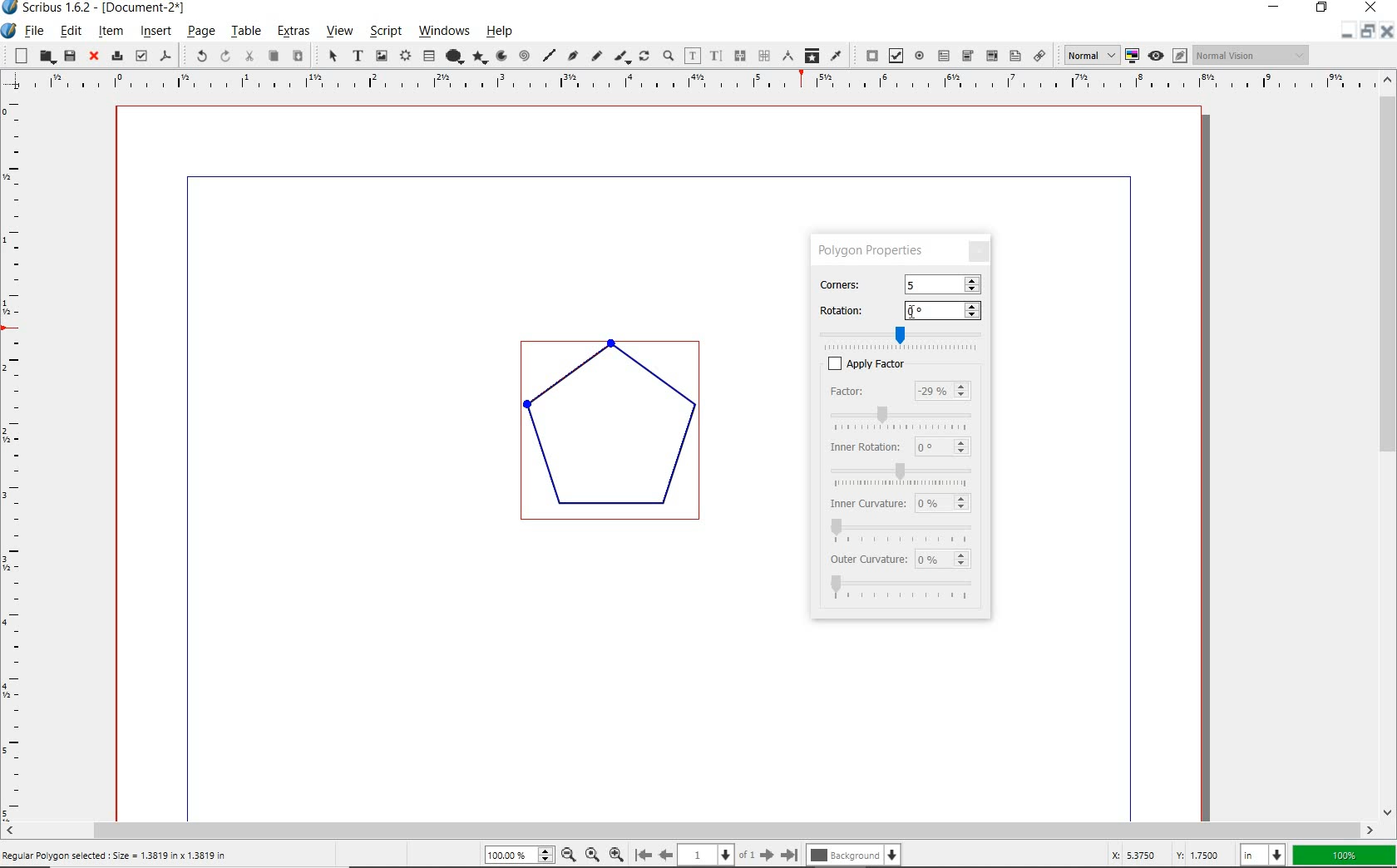  Describe the element at coordinates (570, 56) in the screenshot. I see `Bezier curve` at that location.